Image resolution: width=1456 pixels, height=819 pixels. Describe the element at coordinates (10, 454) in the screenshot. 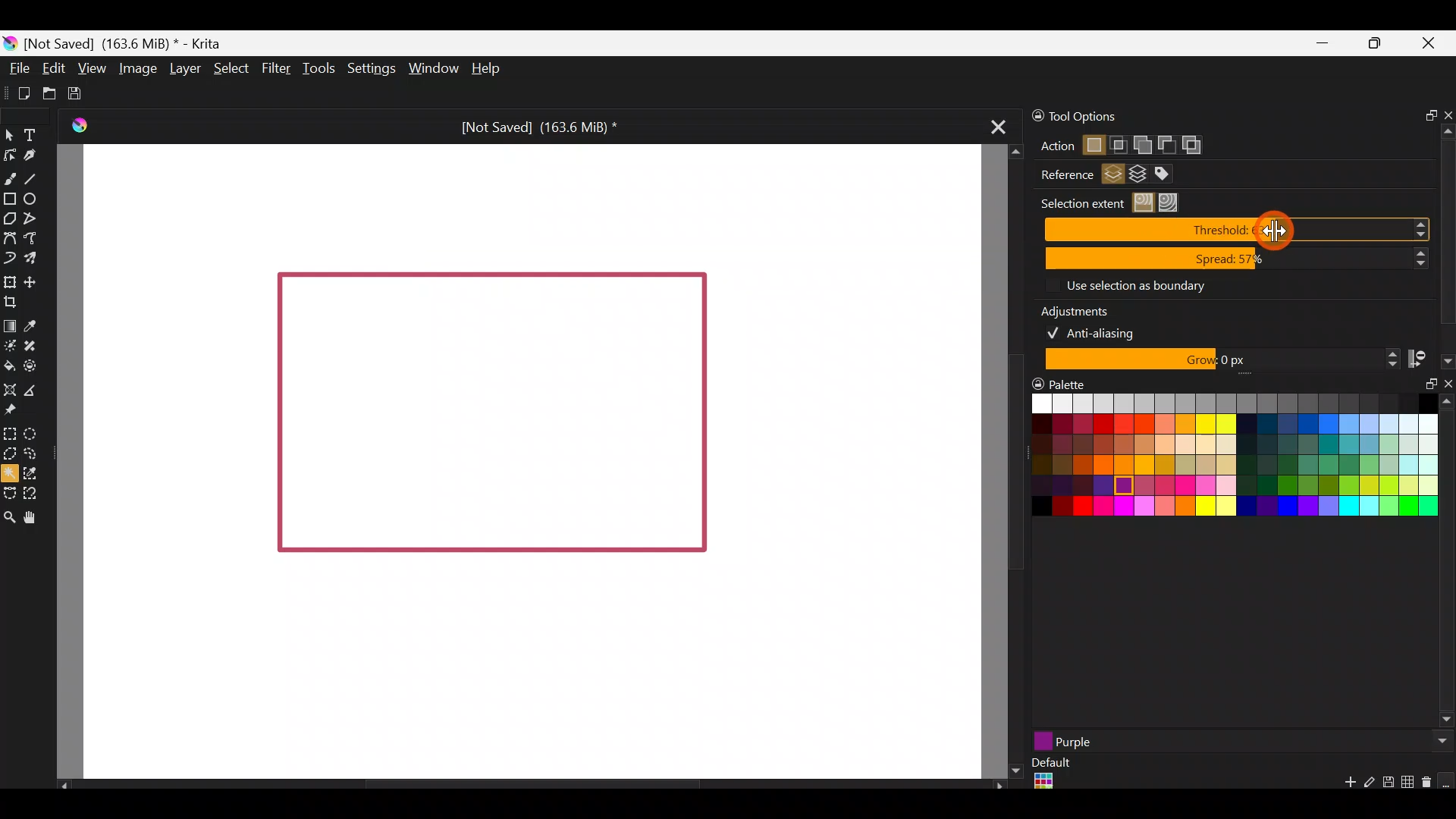

I see `Polygonal section tool` at that location.